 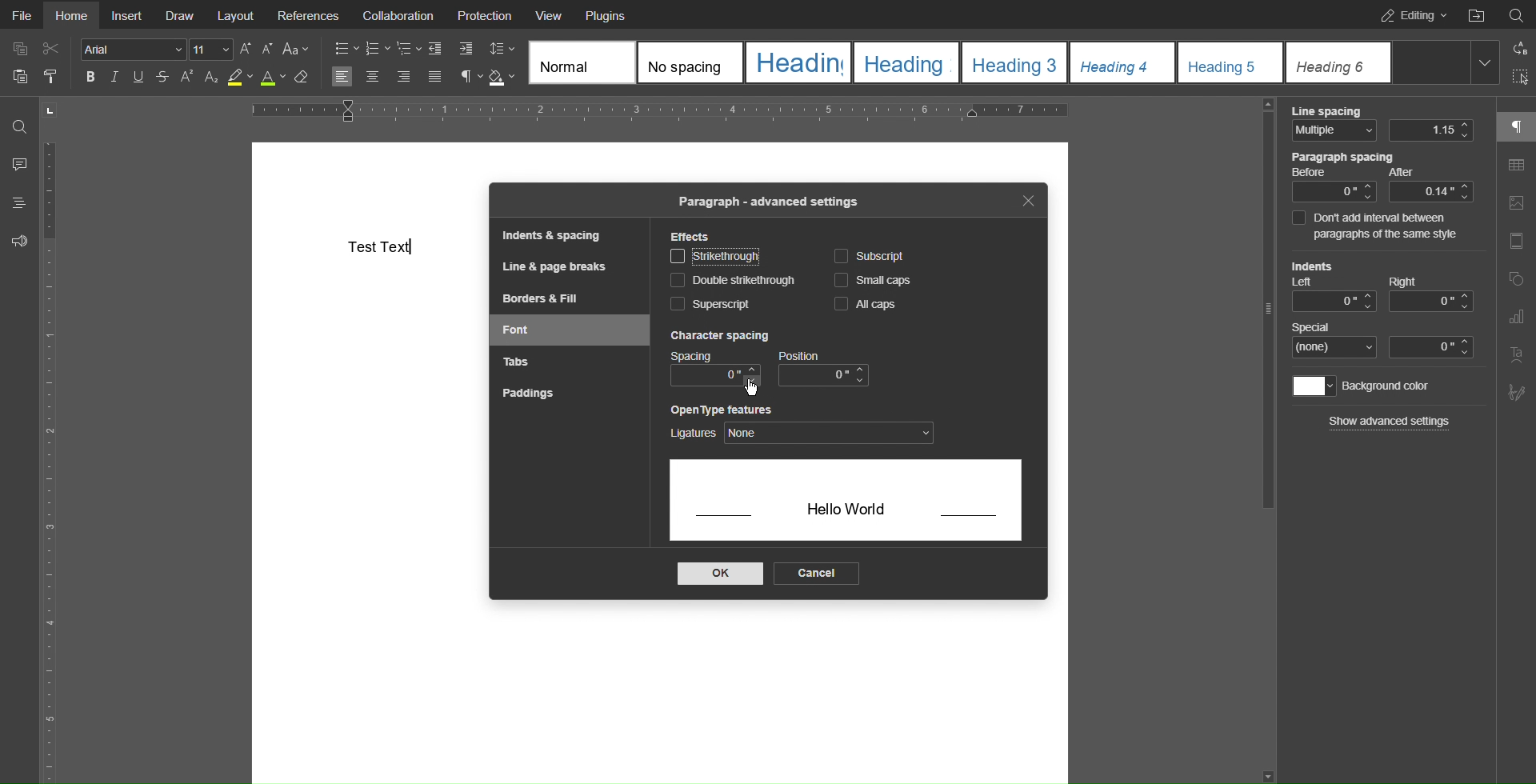 I want to click on Collaboration, so click(x=394, y=14).